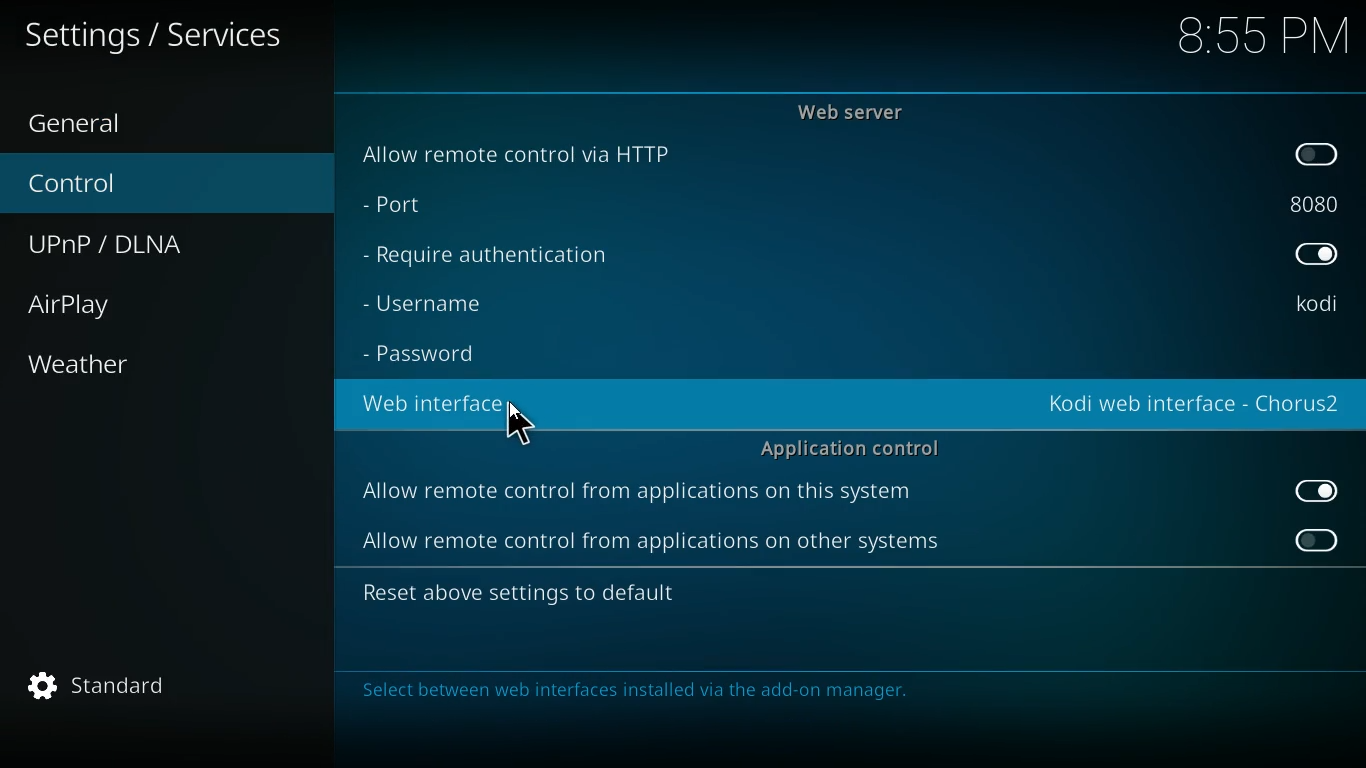  I want to click on on, so click(1323, 491).